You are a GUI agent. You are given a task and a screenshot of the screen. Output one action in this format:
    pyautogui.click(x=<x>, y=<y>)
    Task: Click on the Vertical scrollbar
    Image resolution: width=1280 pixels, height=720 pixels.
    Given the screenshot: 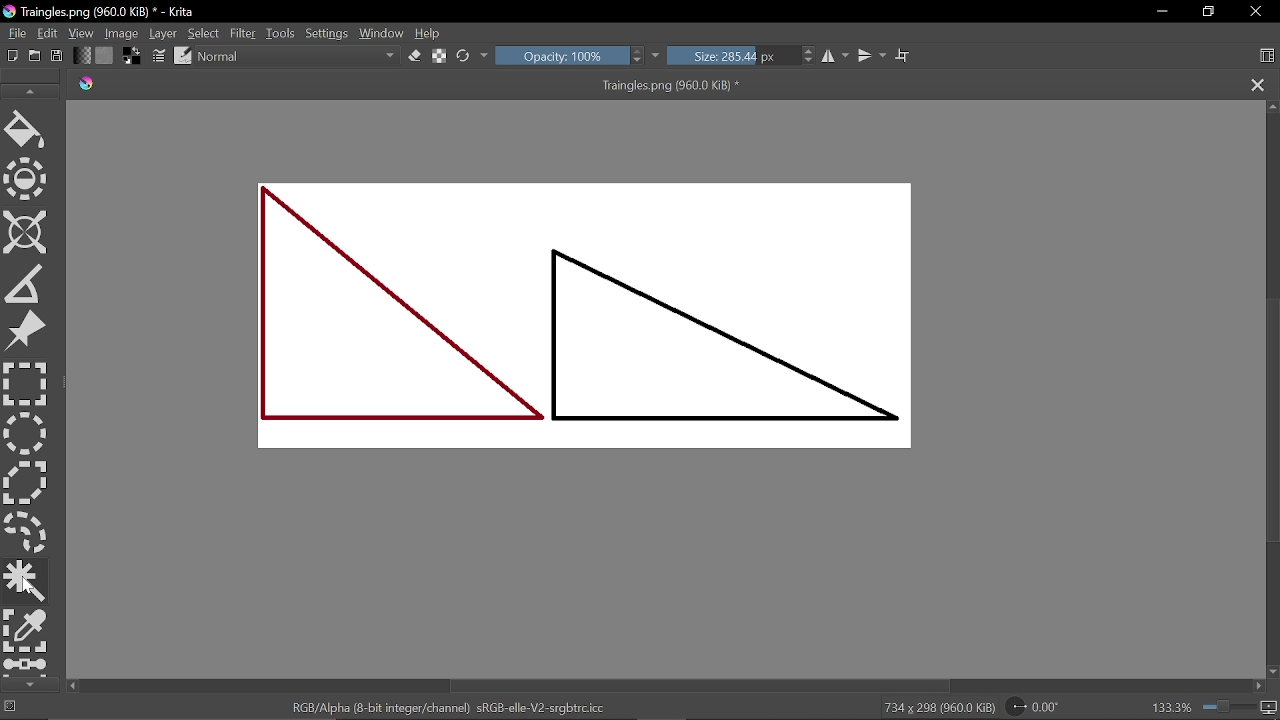 What is the action you would take?
    pyautogui.click(x=1272, y=422)
    